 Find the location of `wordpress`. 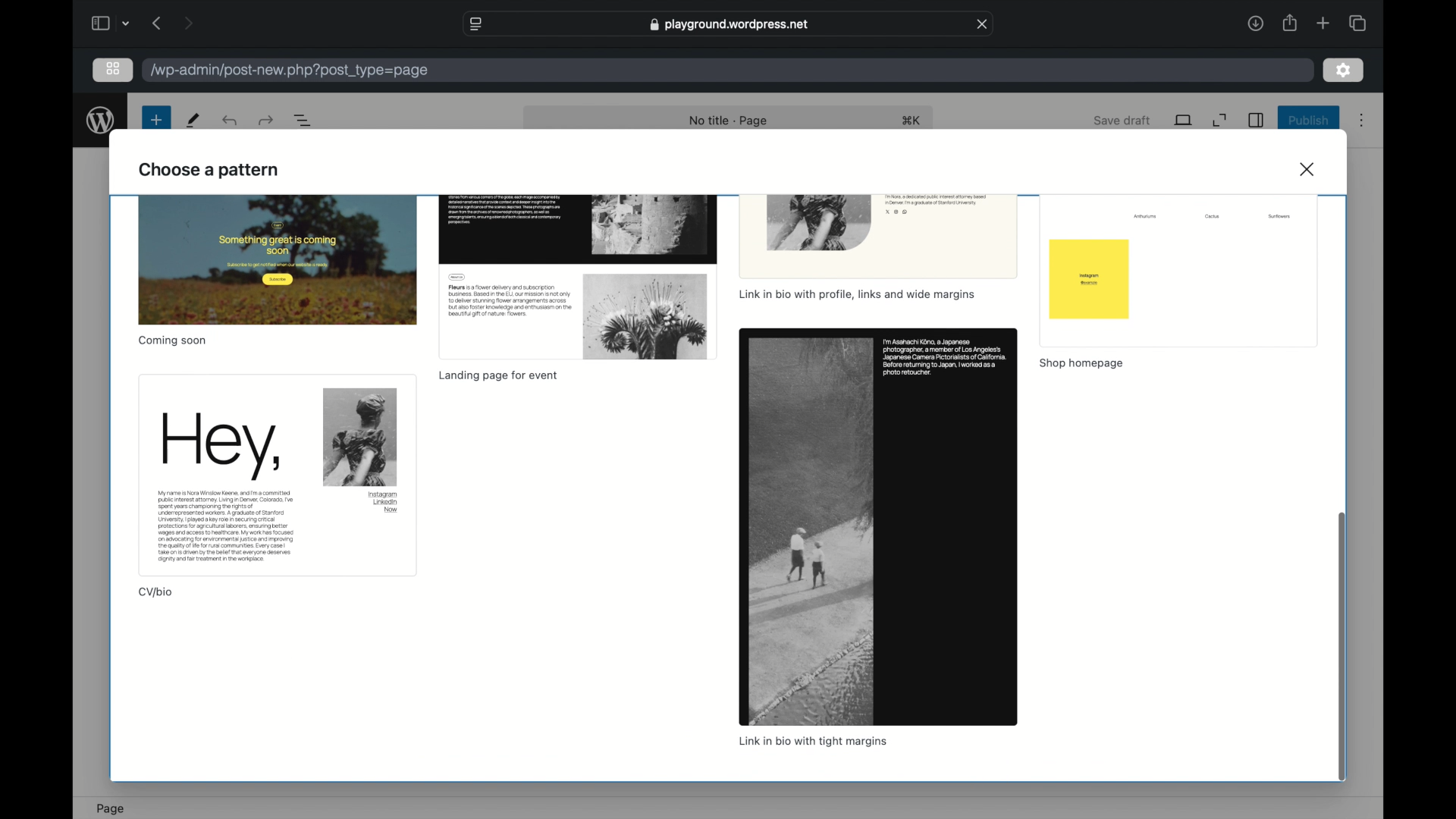

wordpress is located at coordinates (100, 120).